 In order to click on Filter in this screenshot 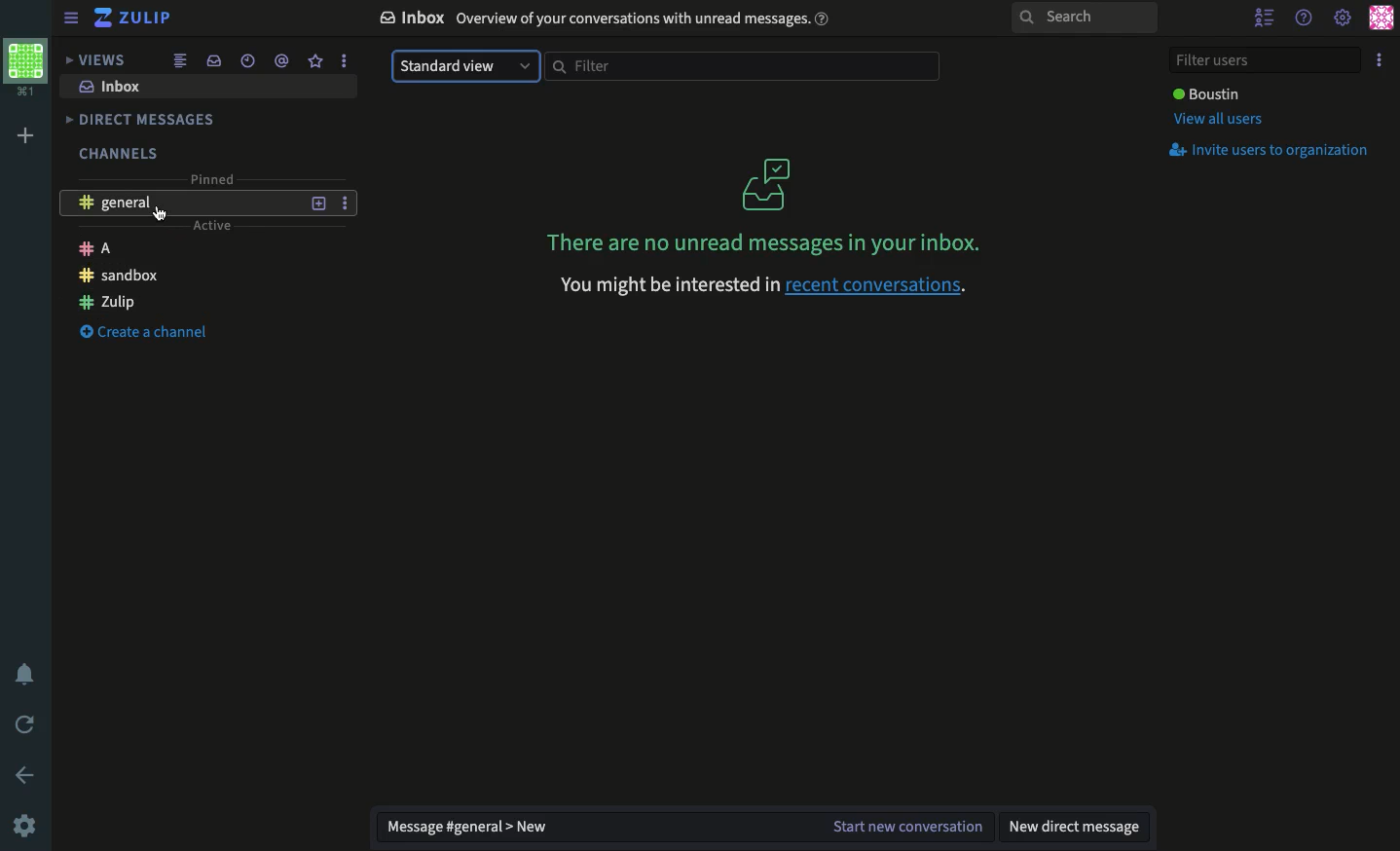, I will do `click(745, 66)`.